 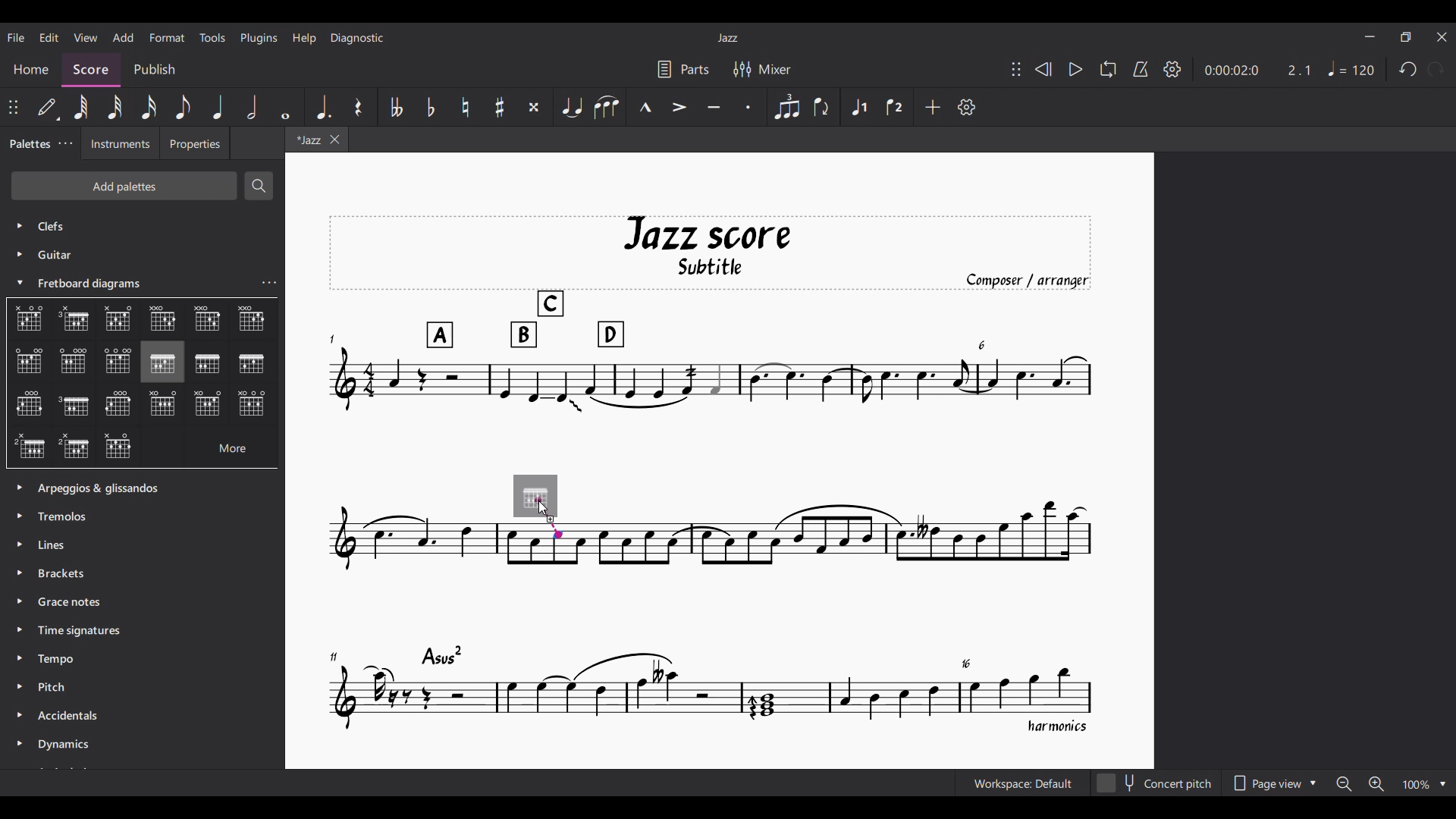 What do you see at coordinates (679, 107) in the screenshot?
I see `Accent` at bounding box center [679, 107].